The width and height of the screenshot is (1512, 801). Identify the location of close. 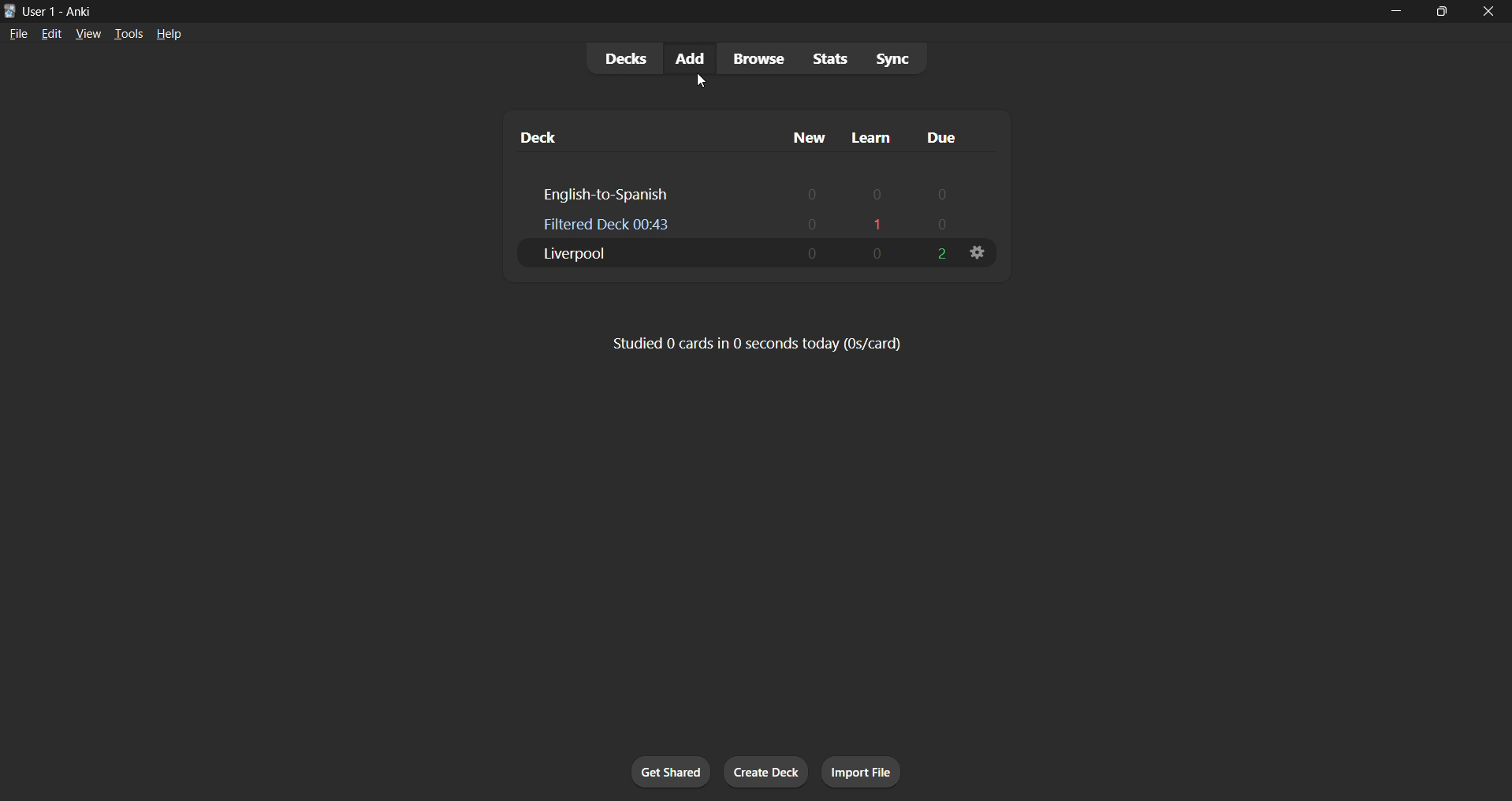
(1490, 13).